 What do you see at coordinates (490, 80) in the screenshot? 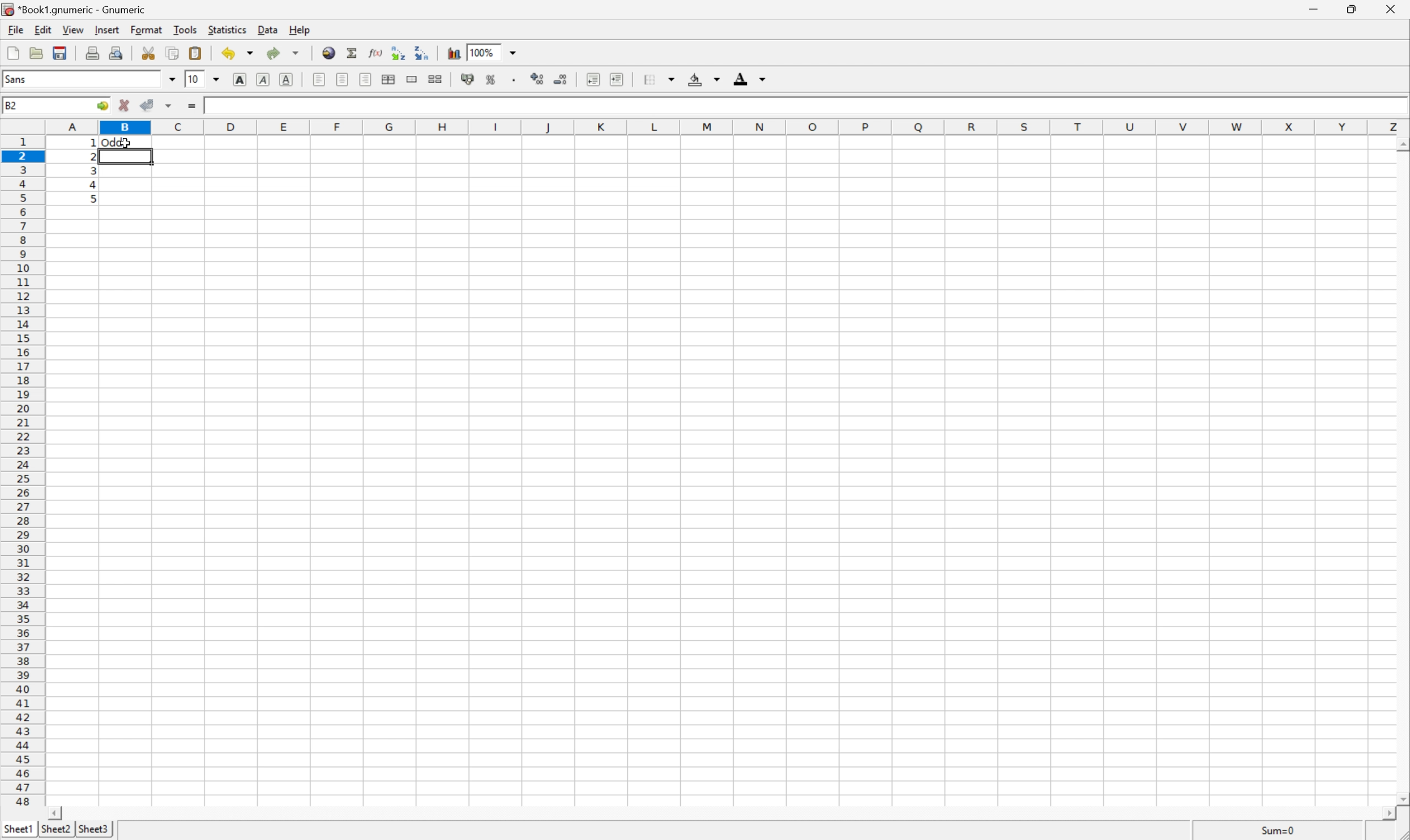
I see `Format selection as percentage` at bounding box center [490, 80].